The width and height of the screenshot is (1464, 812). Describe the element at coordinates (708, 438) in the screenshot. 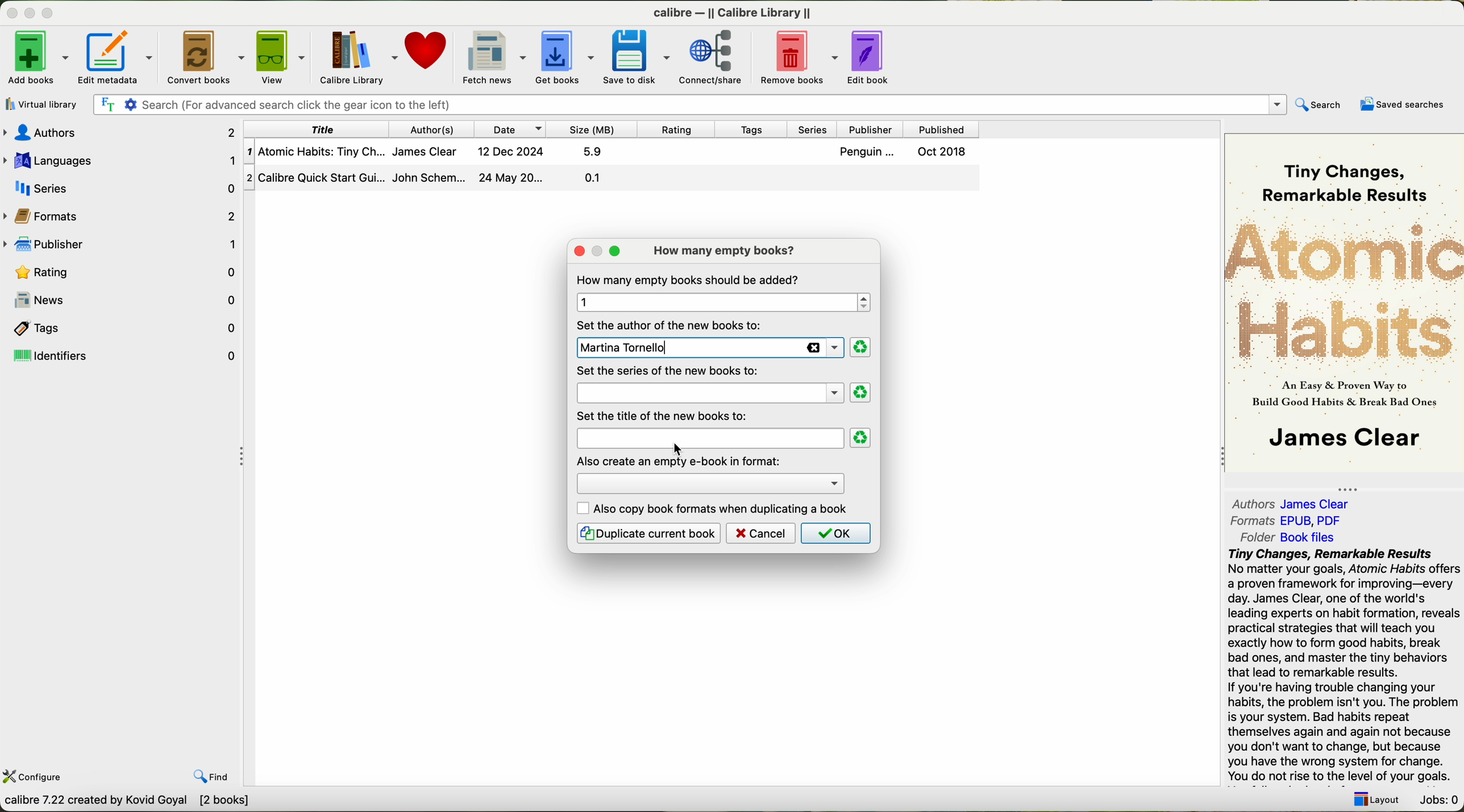

I see `title` at that location.